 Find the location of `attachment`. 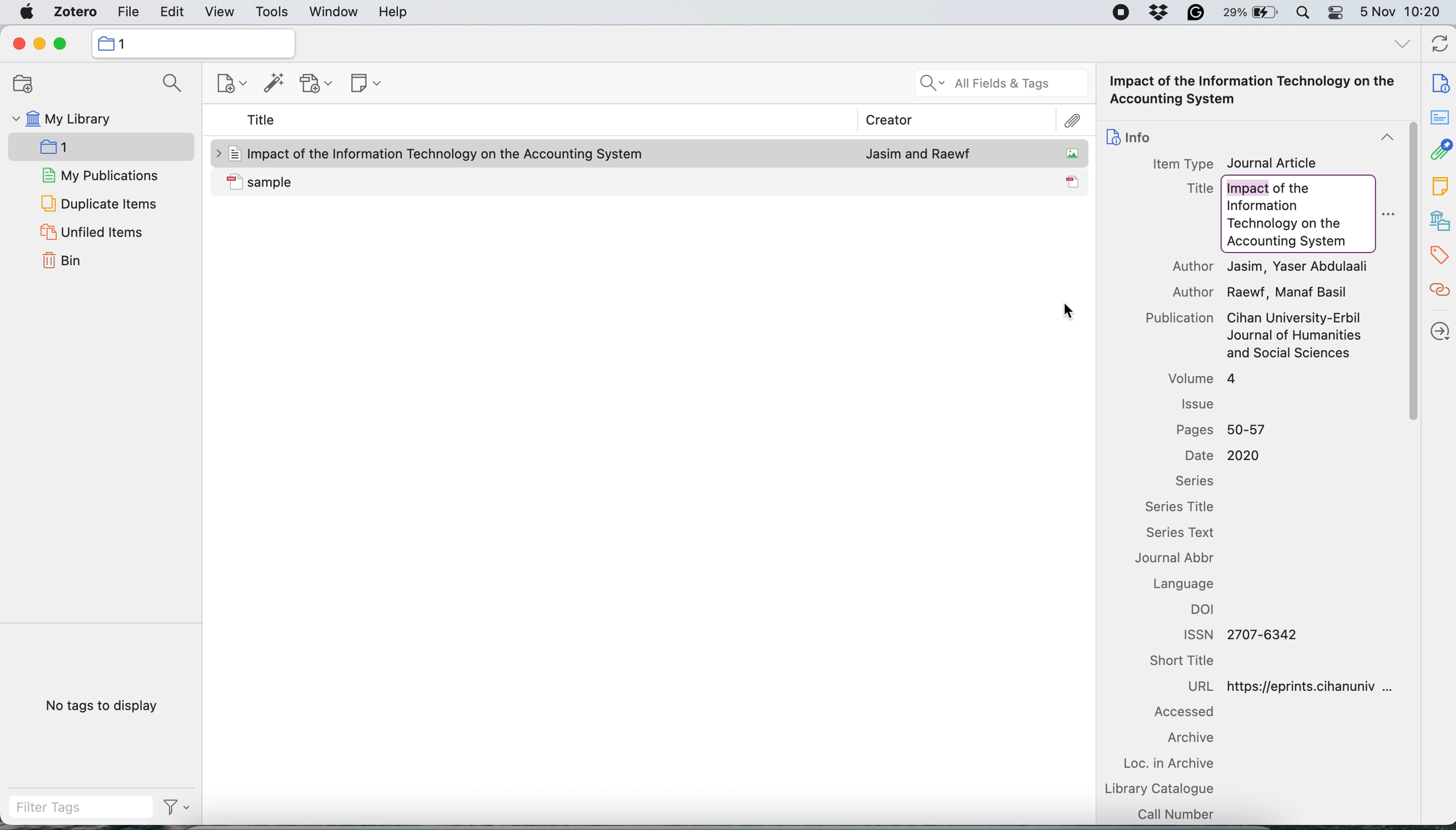

attachment is located at coordinates (1439, 150).